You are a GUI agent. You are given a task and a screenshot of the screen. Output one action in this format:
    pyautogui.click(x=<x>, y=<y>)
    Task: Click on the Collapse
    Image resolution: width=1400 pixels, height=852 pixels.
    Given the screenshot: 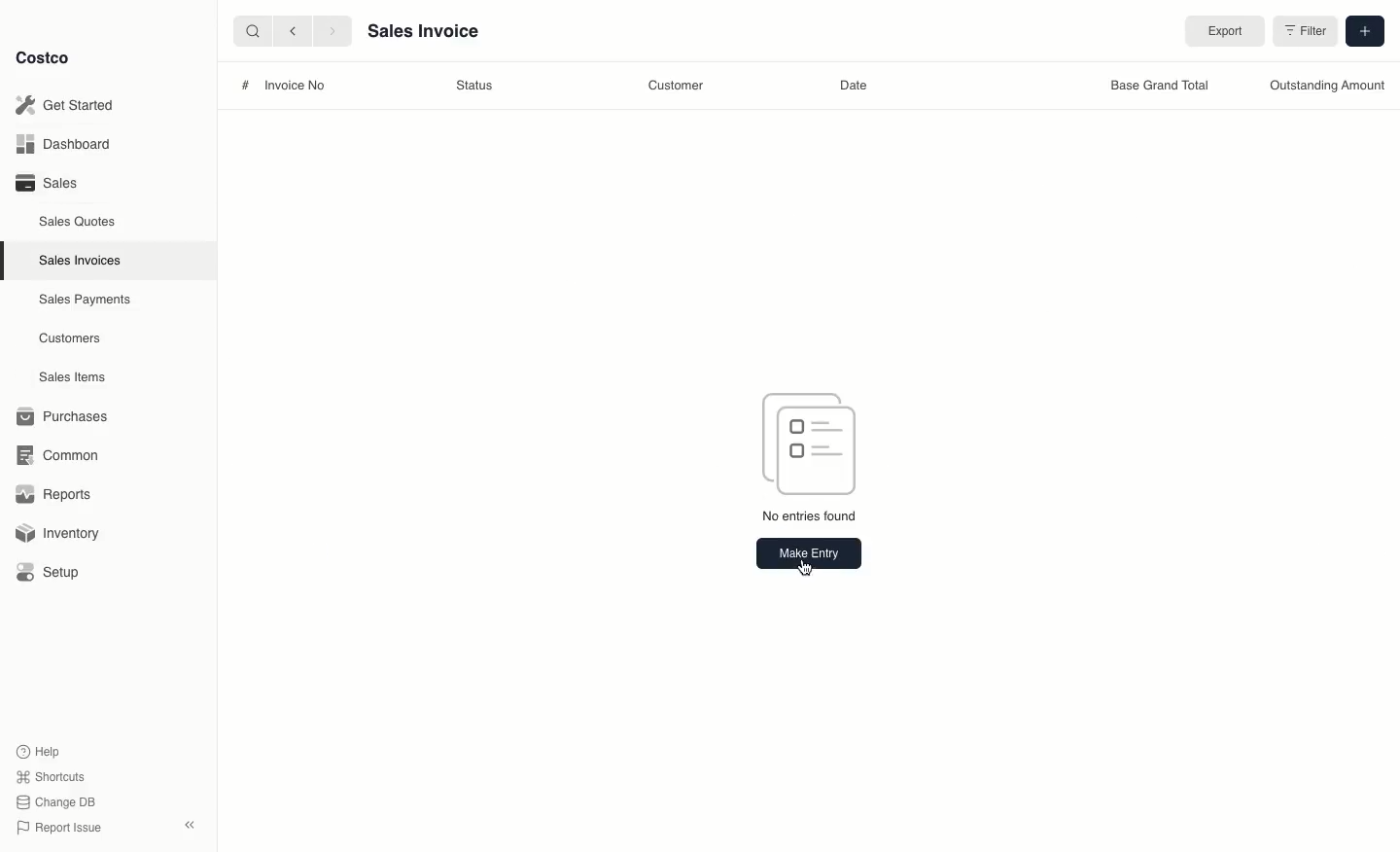 What is the action you would take?
    pyautogui.click(x=192, y=826)
    